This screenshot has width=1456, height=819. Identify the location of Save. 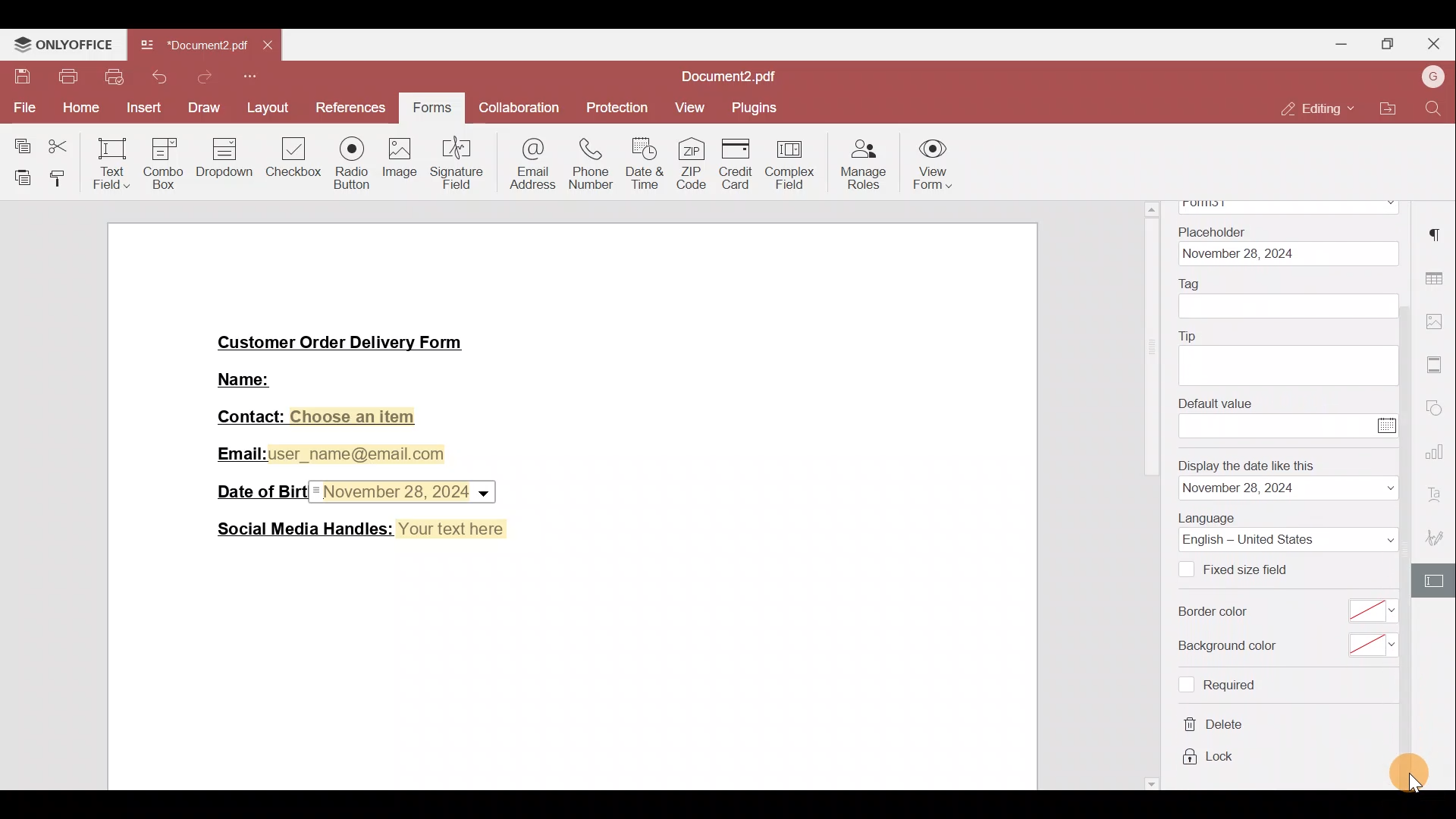
(18, 74).